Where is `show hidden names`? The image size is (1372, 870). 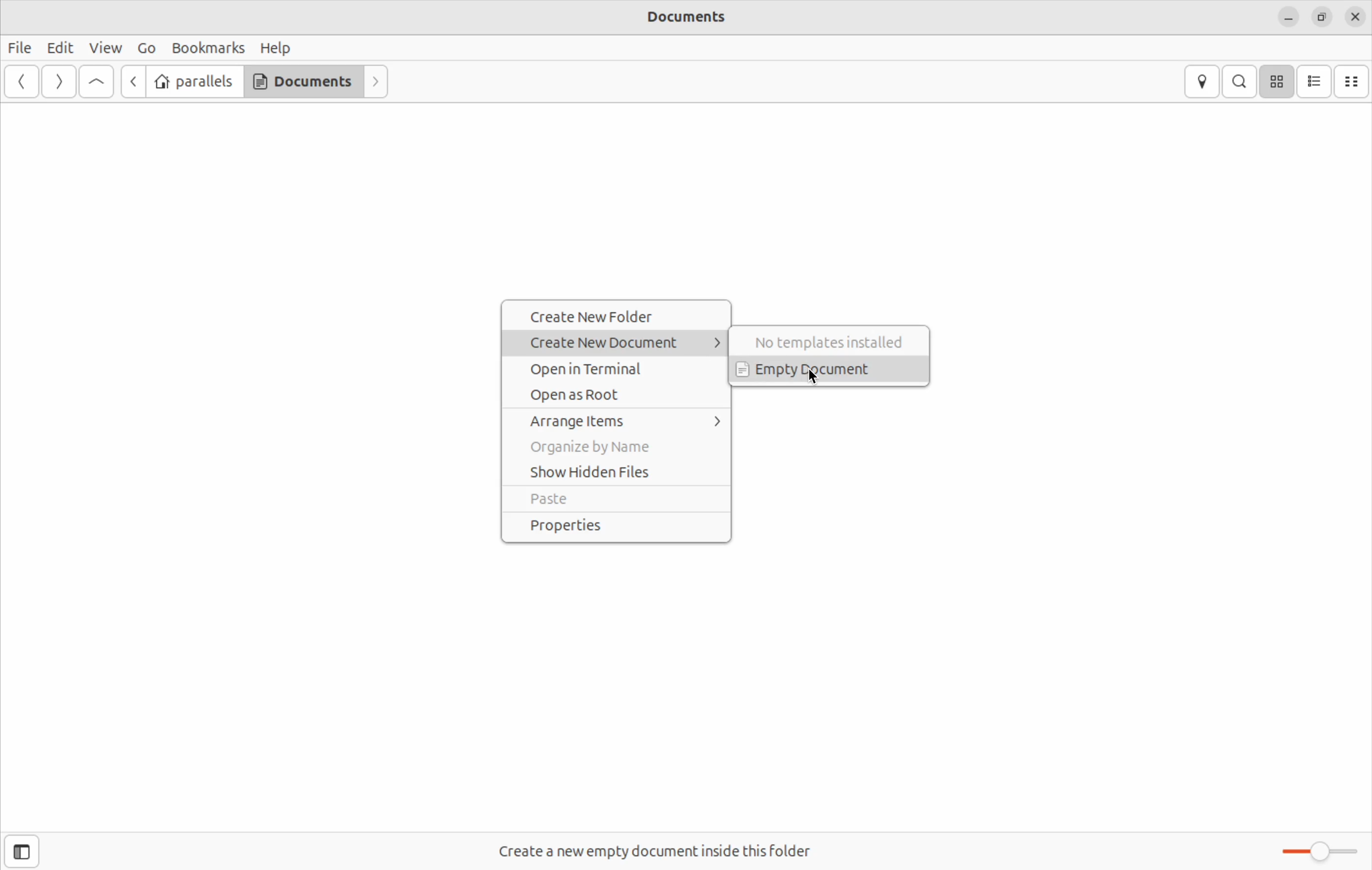
show hidden names is located at coordinates (617, 473).